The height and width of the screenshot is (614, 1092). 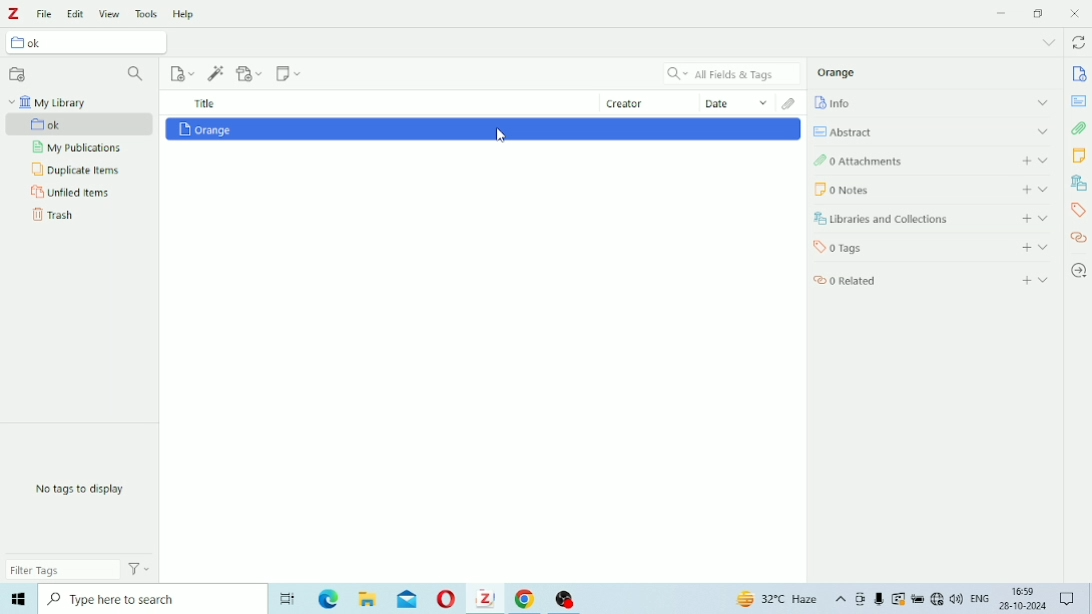 I want to click on Orange, so click(x=205, y=129).